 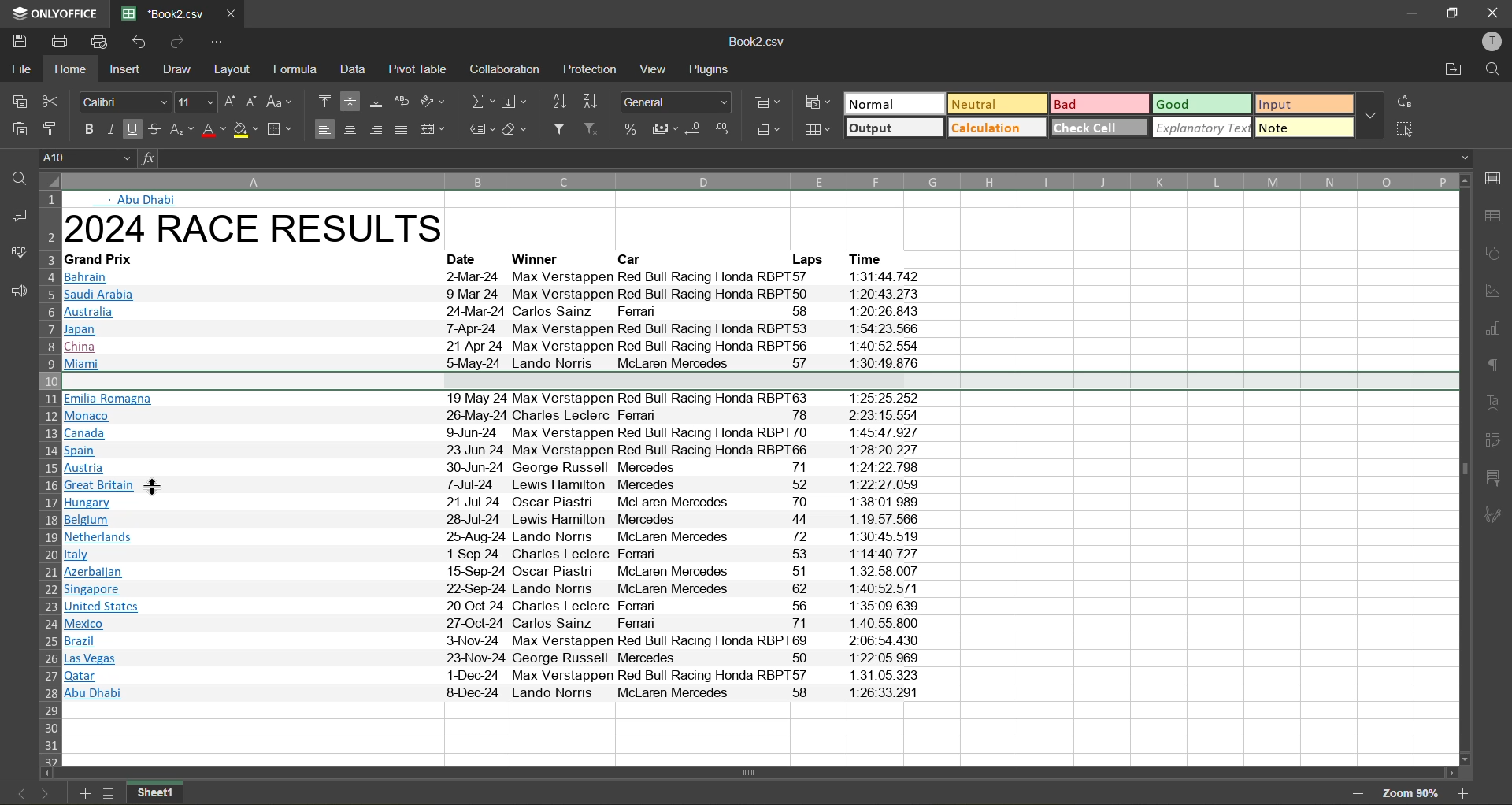 I want to click on undo, so click(x=139, y=43).